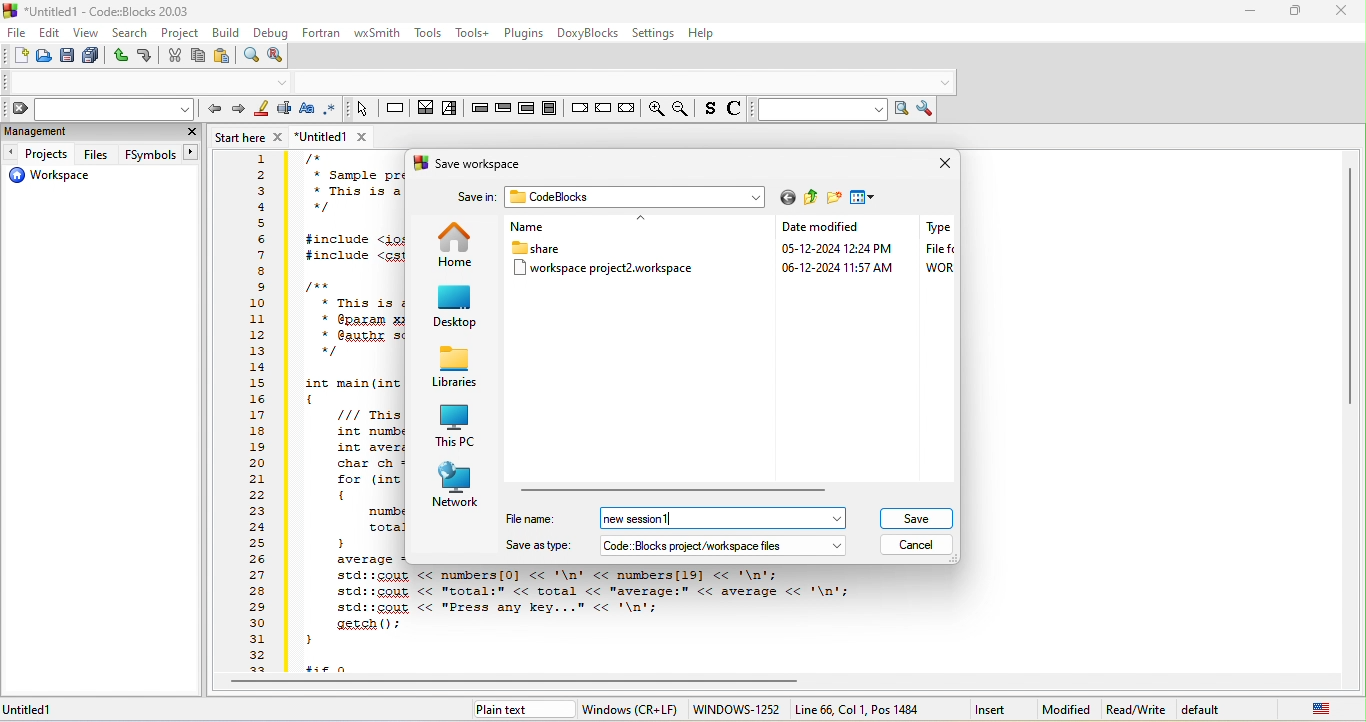 The width and height of the screenshot is (1366, 722). What do you see at coordinates (117, 56) in the screenshot?
I see `undo` at bounding box center [117, 56].